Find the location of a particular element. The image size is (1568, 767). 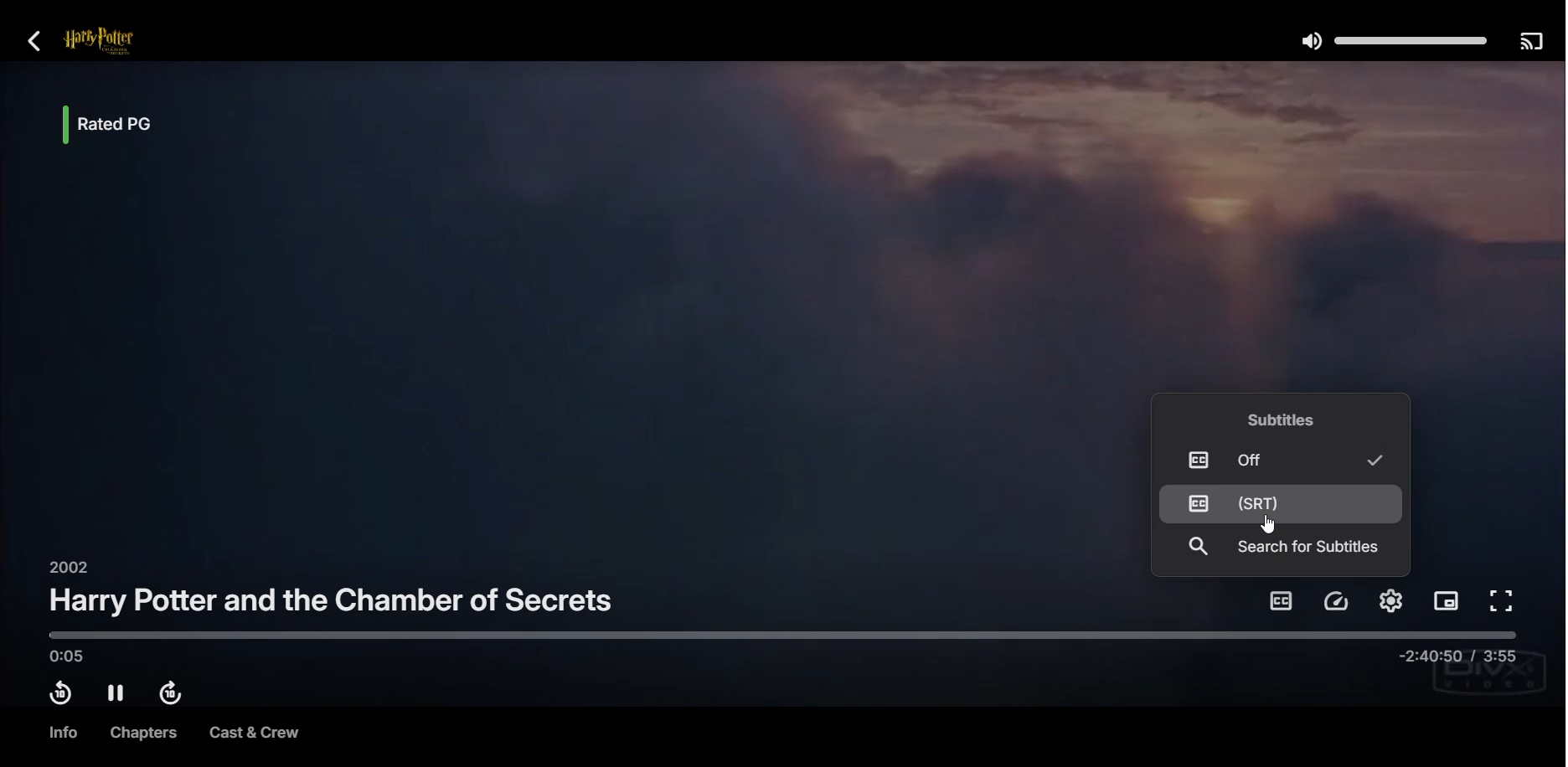

Cast and Crew is located at coordinates (254, 734).